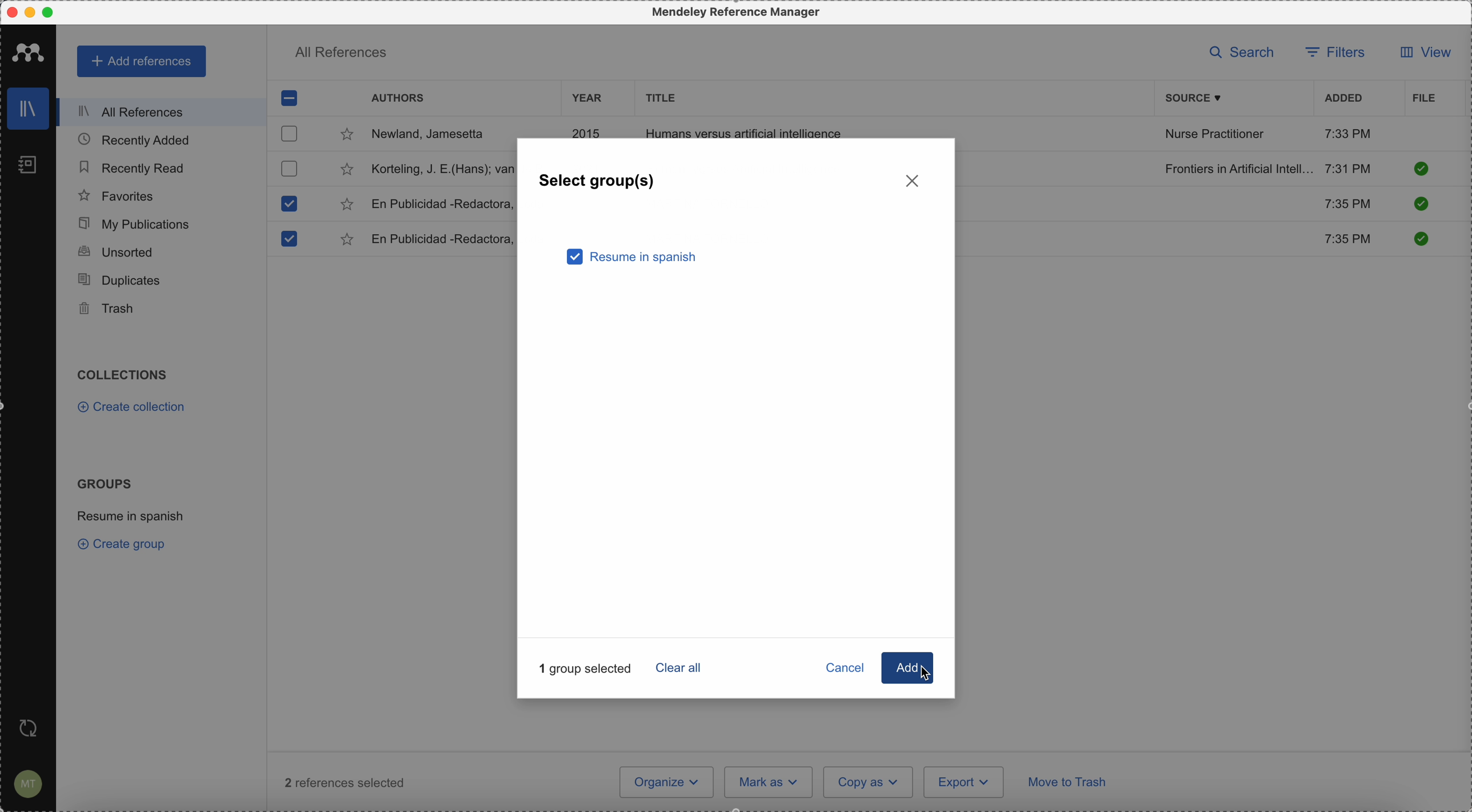  What do you see at coordinates (345, 782) in the screenshot?
I see `2 reference selected` at bounding box center [345, 782].